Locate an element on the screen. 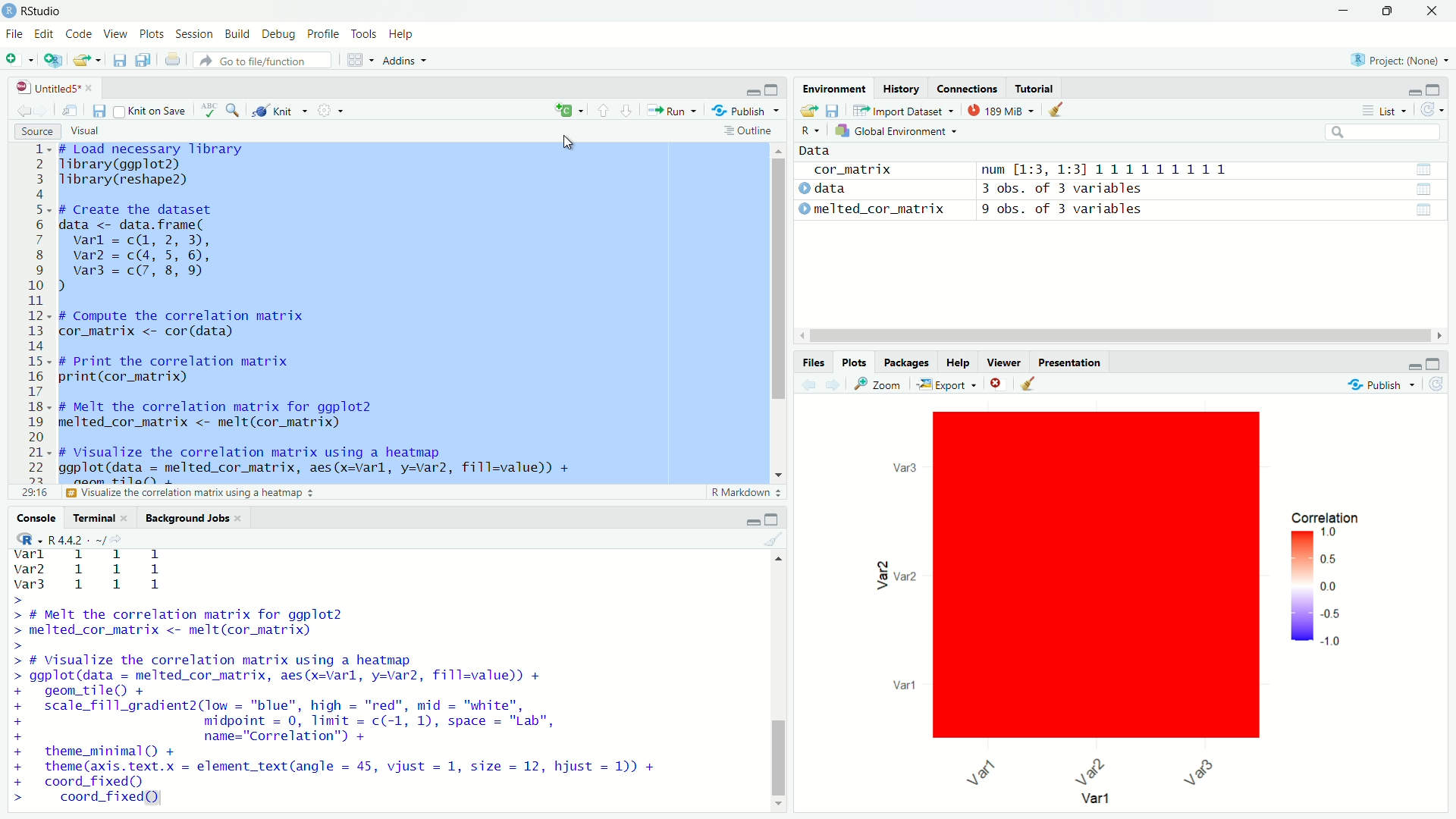 This screenshot has width=1456, height=819. tutorial is located at coordinates (1036, 87).